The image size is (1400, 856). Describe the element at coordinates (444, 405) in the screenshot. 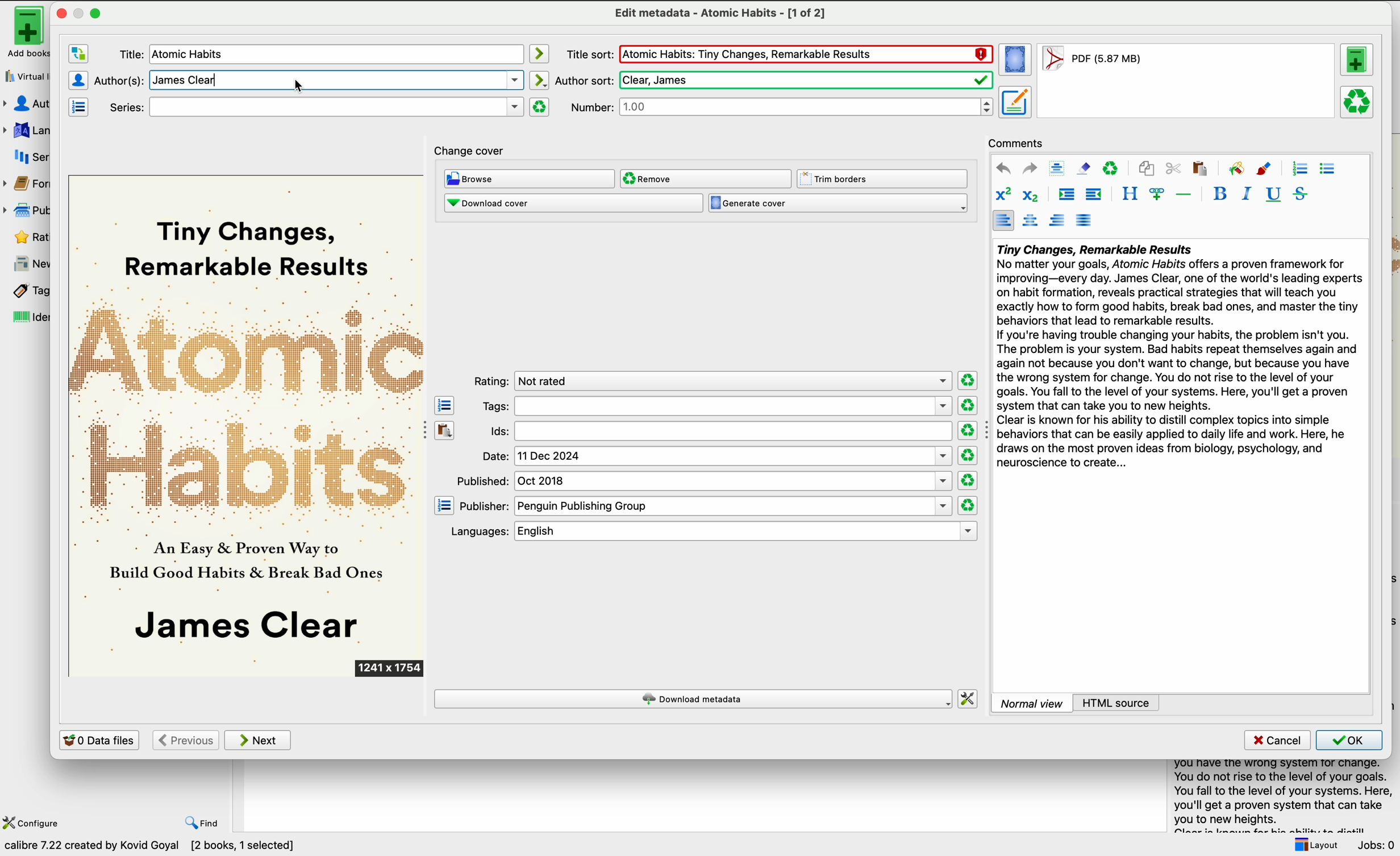

I see `open the tag editor` at that location.